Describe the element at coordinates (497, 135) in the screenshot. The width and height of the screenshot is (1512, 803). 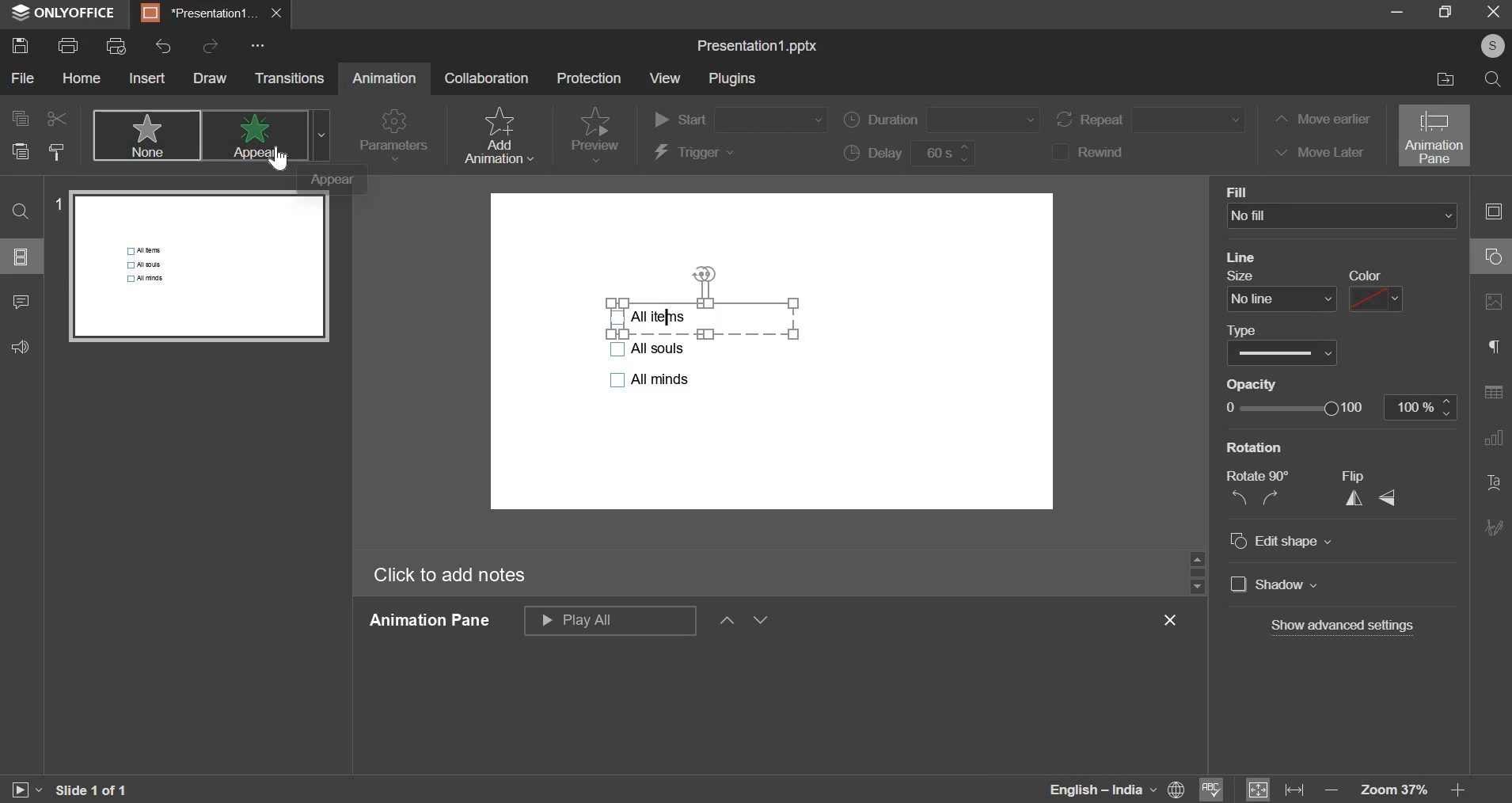
I see `add animation` at that location.